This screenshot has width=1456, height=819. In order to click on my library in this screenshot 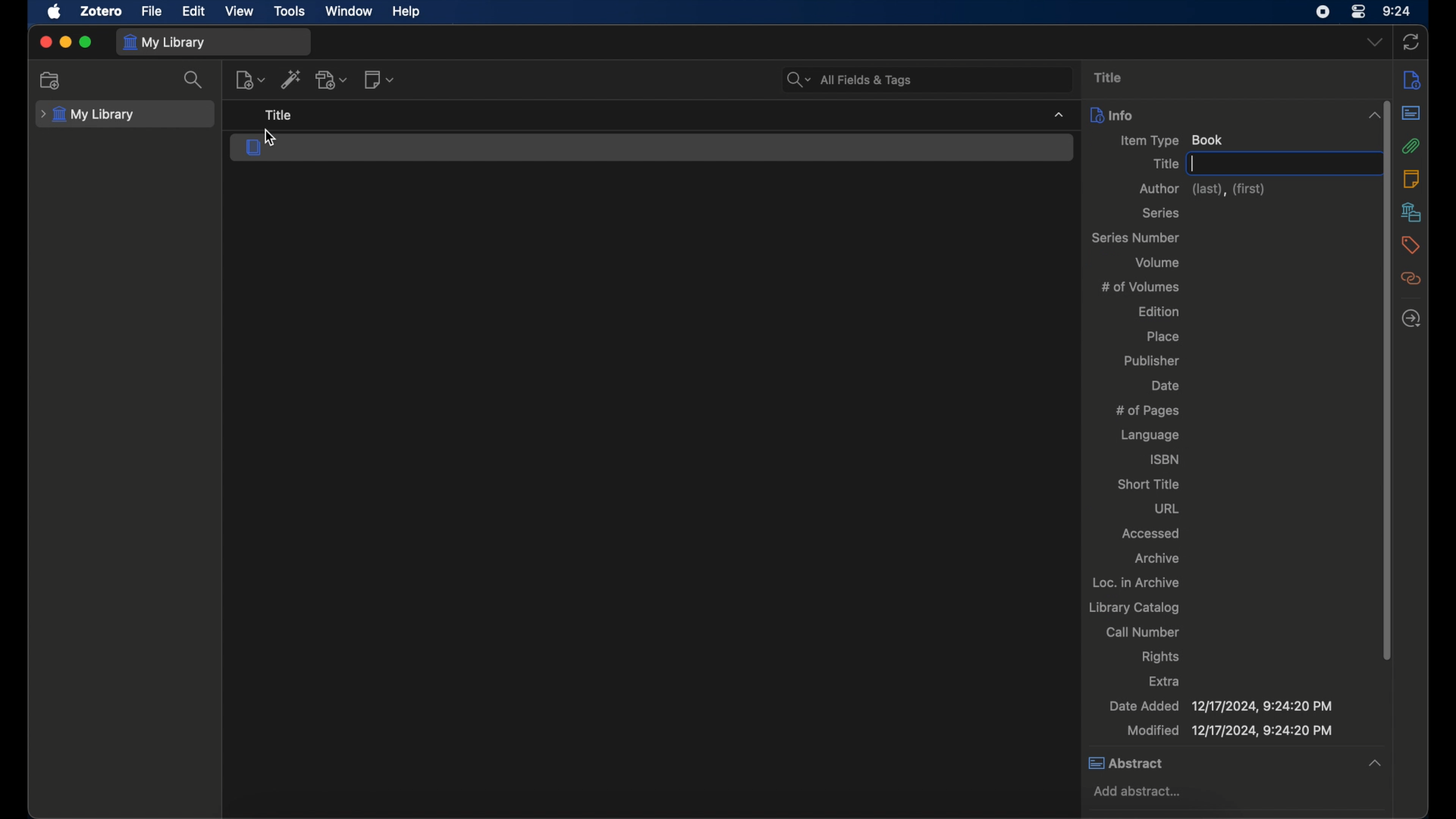, I will do `click(87, 115)`.